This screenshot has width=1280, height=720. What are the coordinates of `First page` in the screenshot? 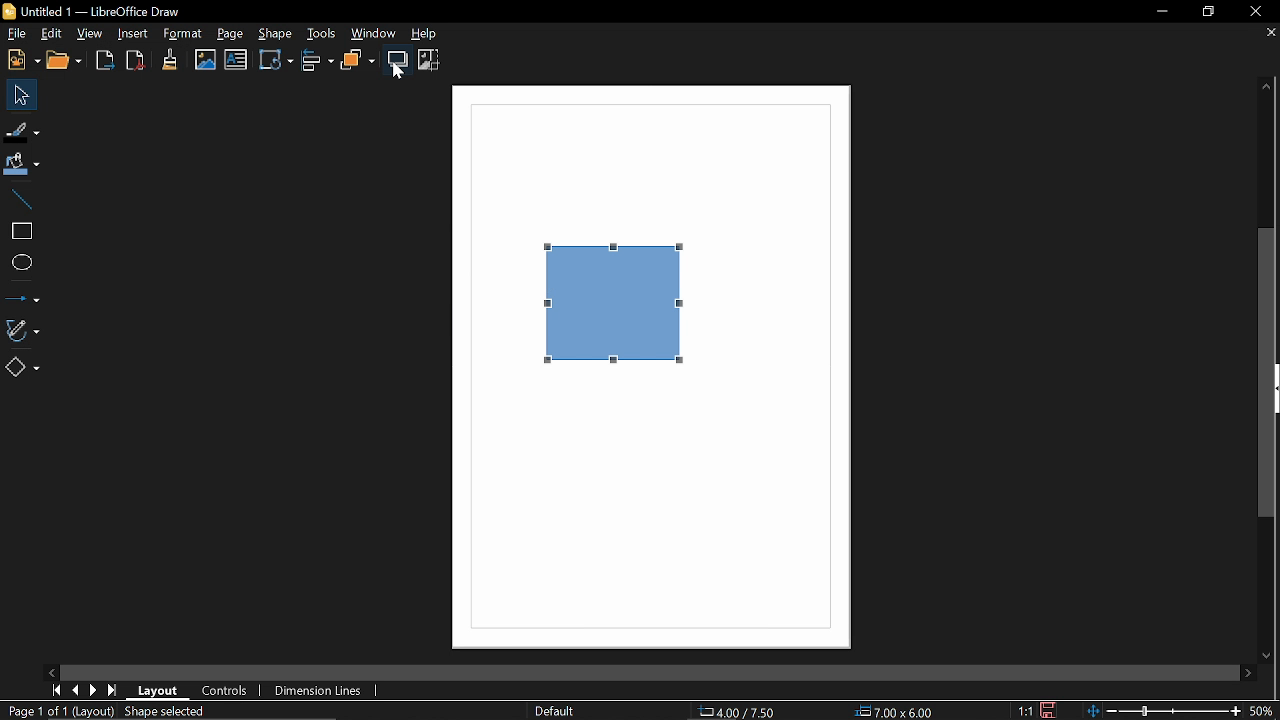 It's located at (56, 691).